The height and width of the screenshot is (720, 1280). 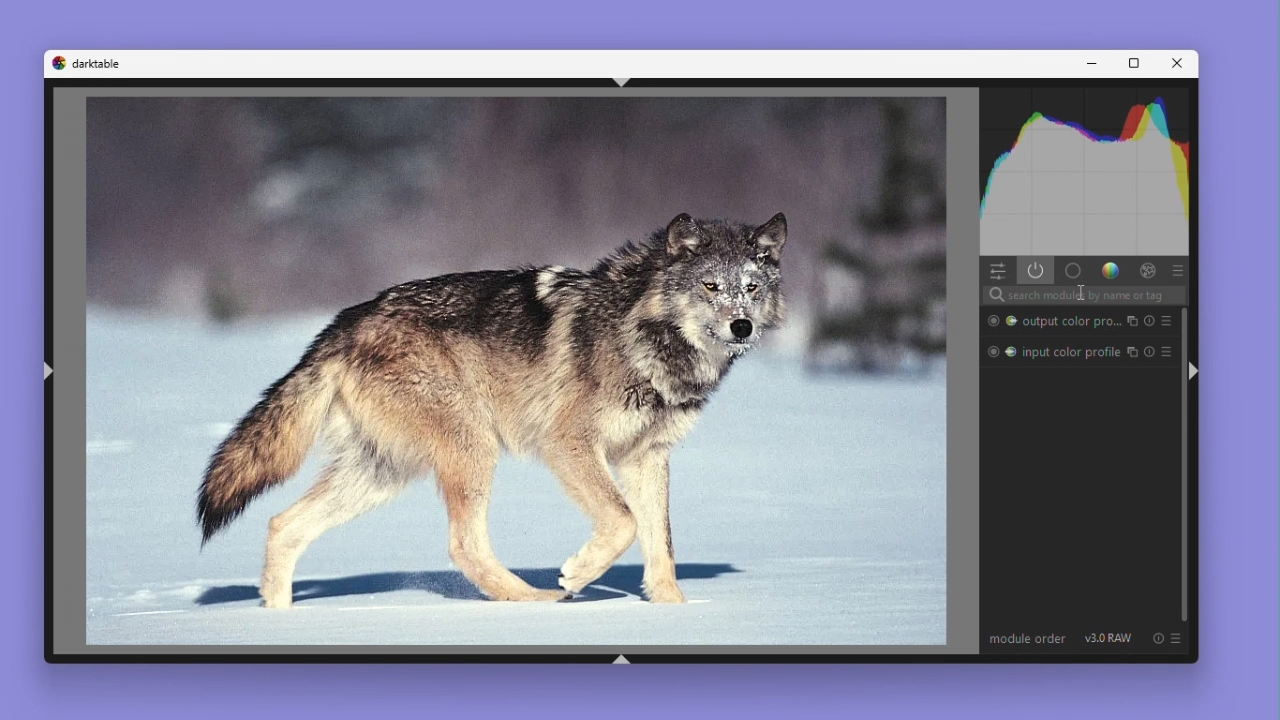 What do you see at coordinates (1029, 639) in the screenshot?
I see `Module order` at bounding box center [1029, 639].